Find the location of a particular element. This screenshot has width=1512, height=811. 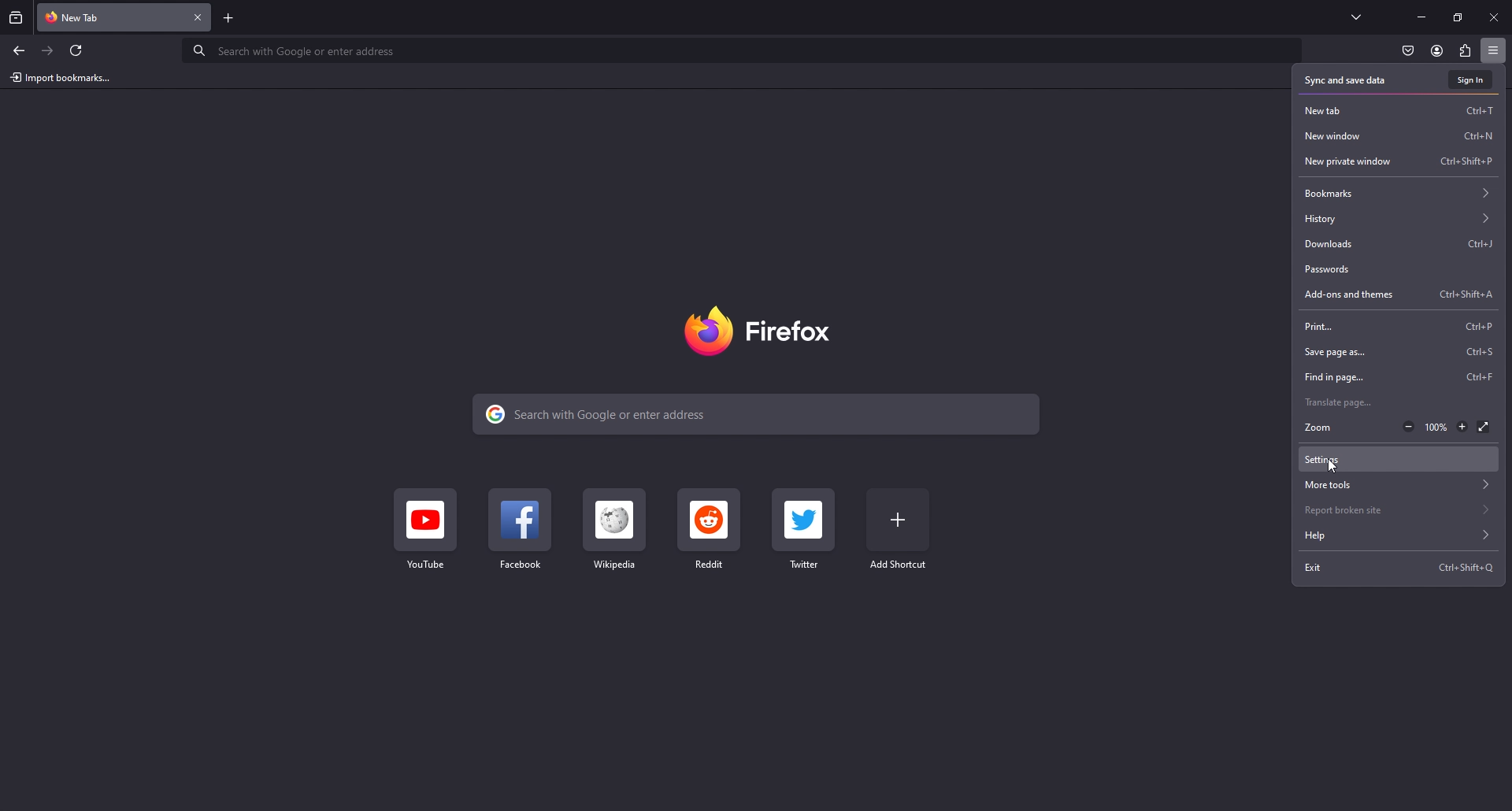

new tab is located at coordinates (111, 16).